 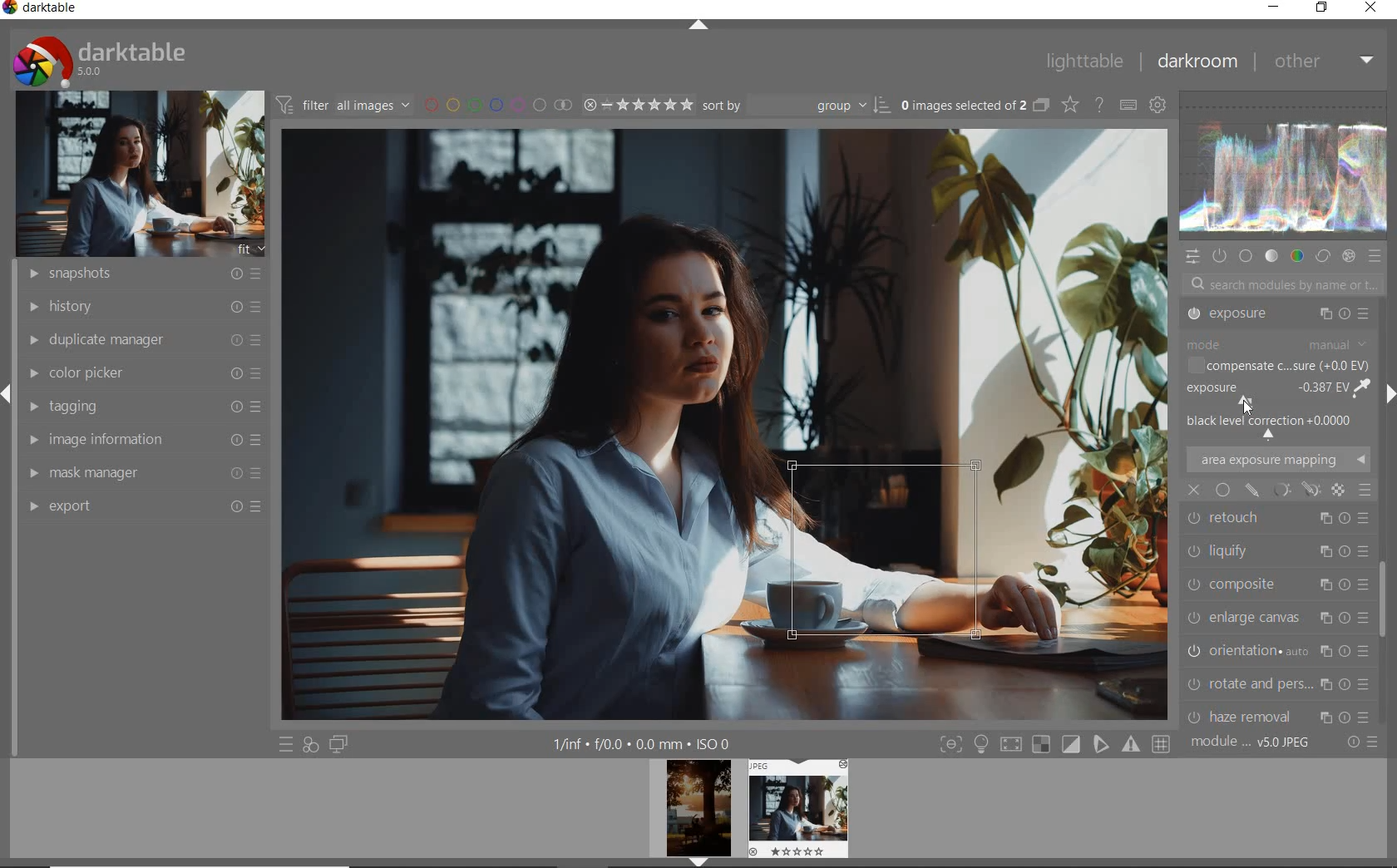 I want to click on LIQUIFY, so click(x=1274, y=457).